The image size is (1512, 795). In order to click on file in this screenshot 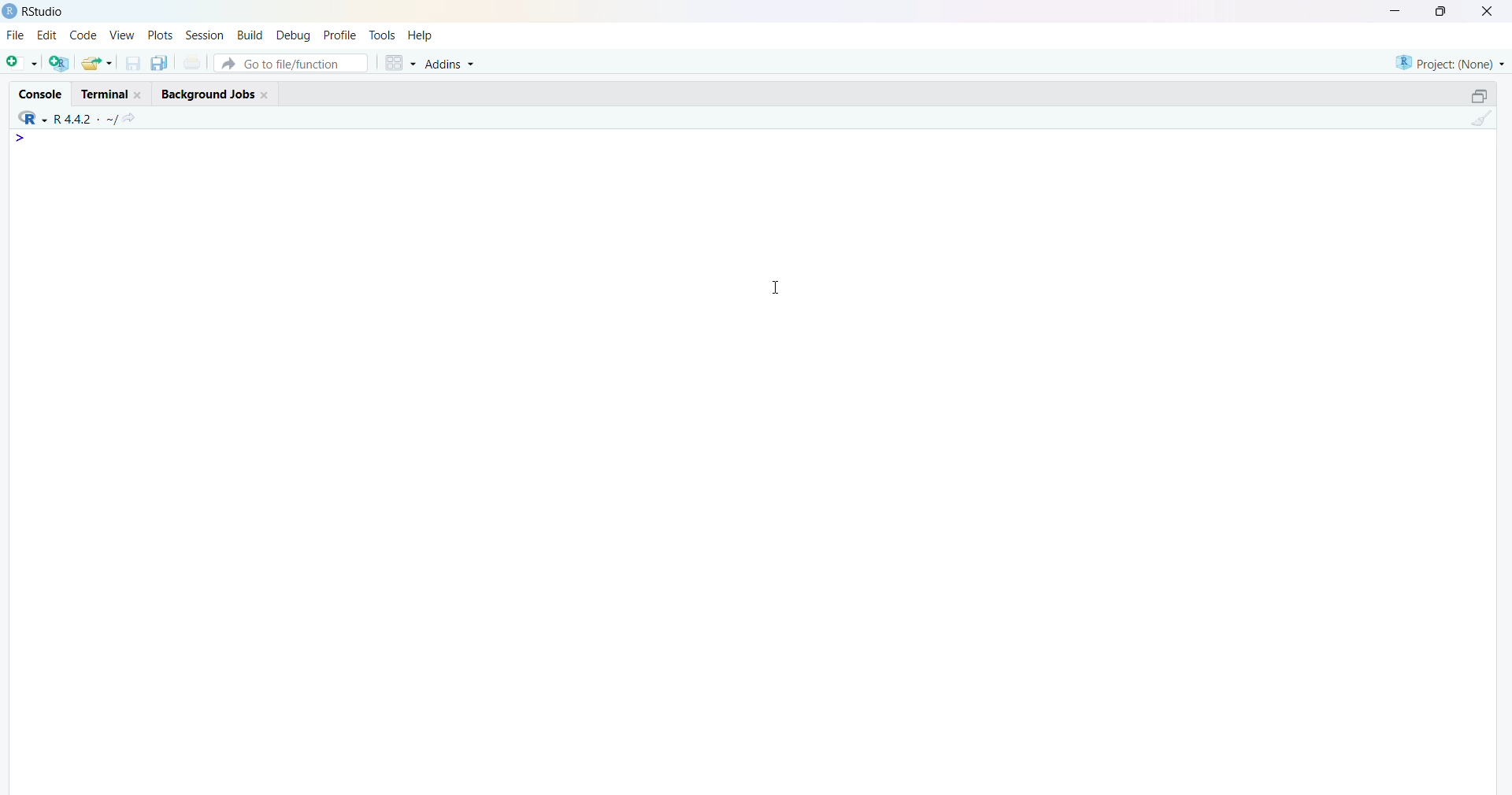, I will do `click(17, 34)`.